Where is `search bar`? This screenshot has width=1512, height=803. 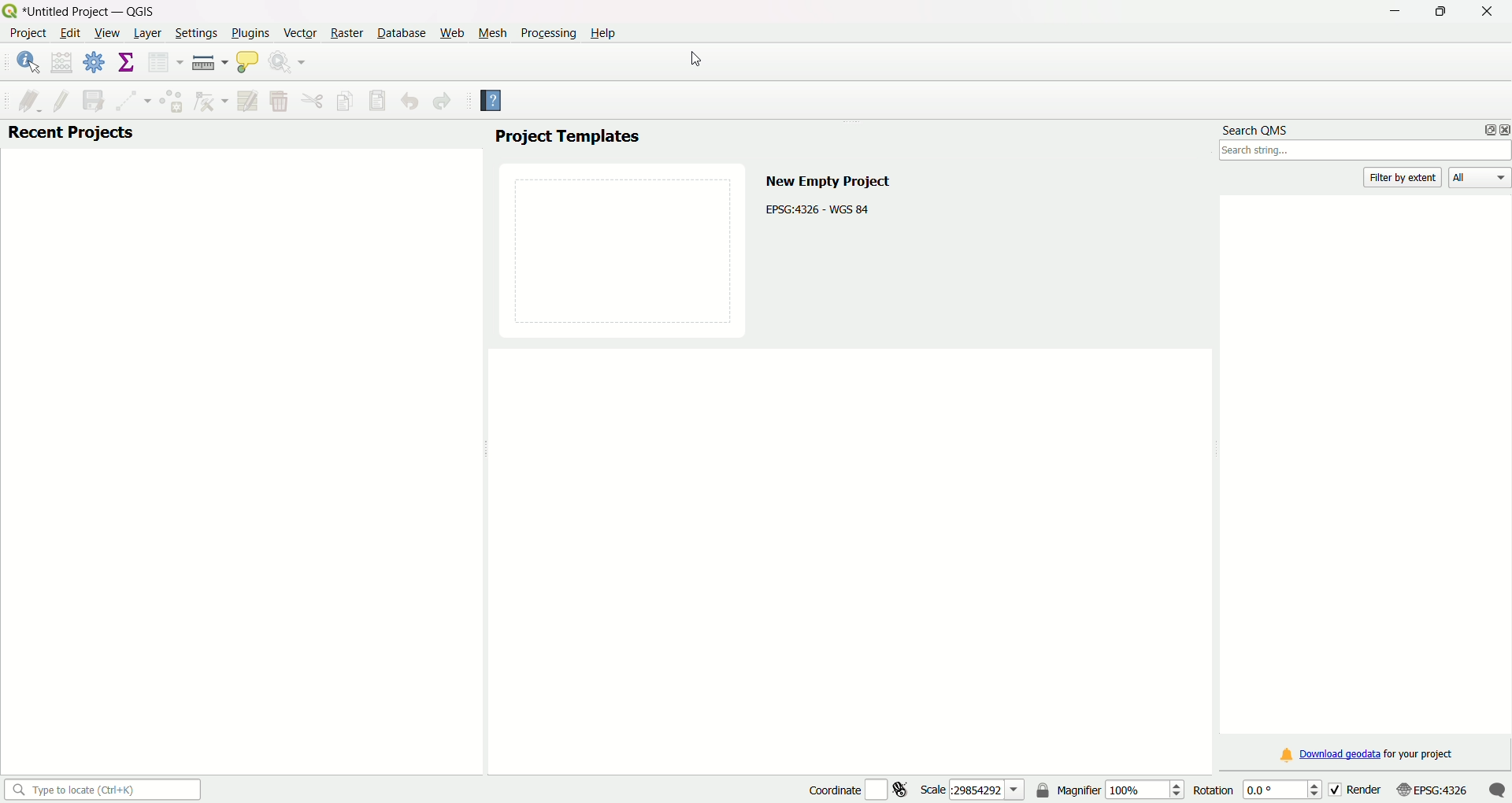 search bar is located at coordinates (100, 789).